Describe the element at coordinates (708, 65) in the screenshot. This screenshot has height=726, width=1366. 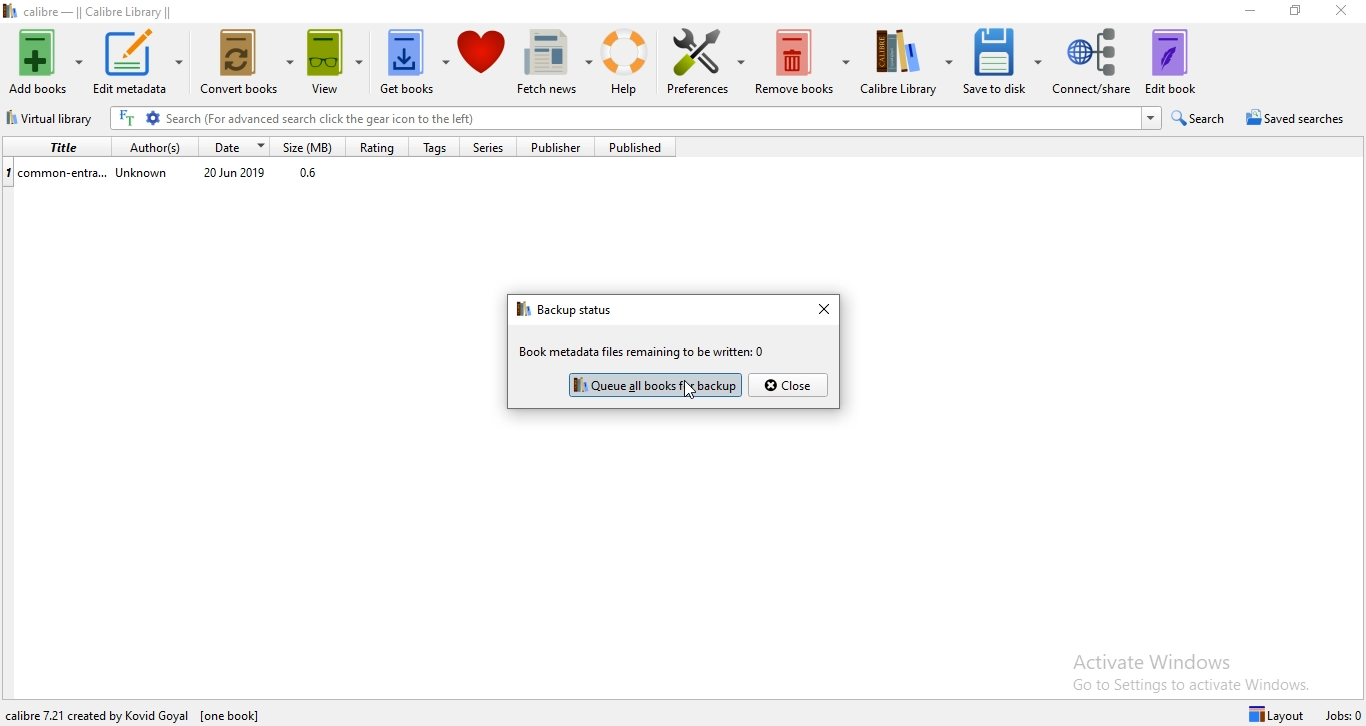
I see `Preference` at that location.